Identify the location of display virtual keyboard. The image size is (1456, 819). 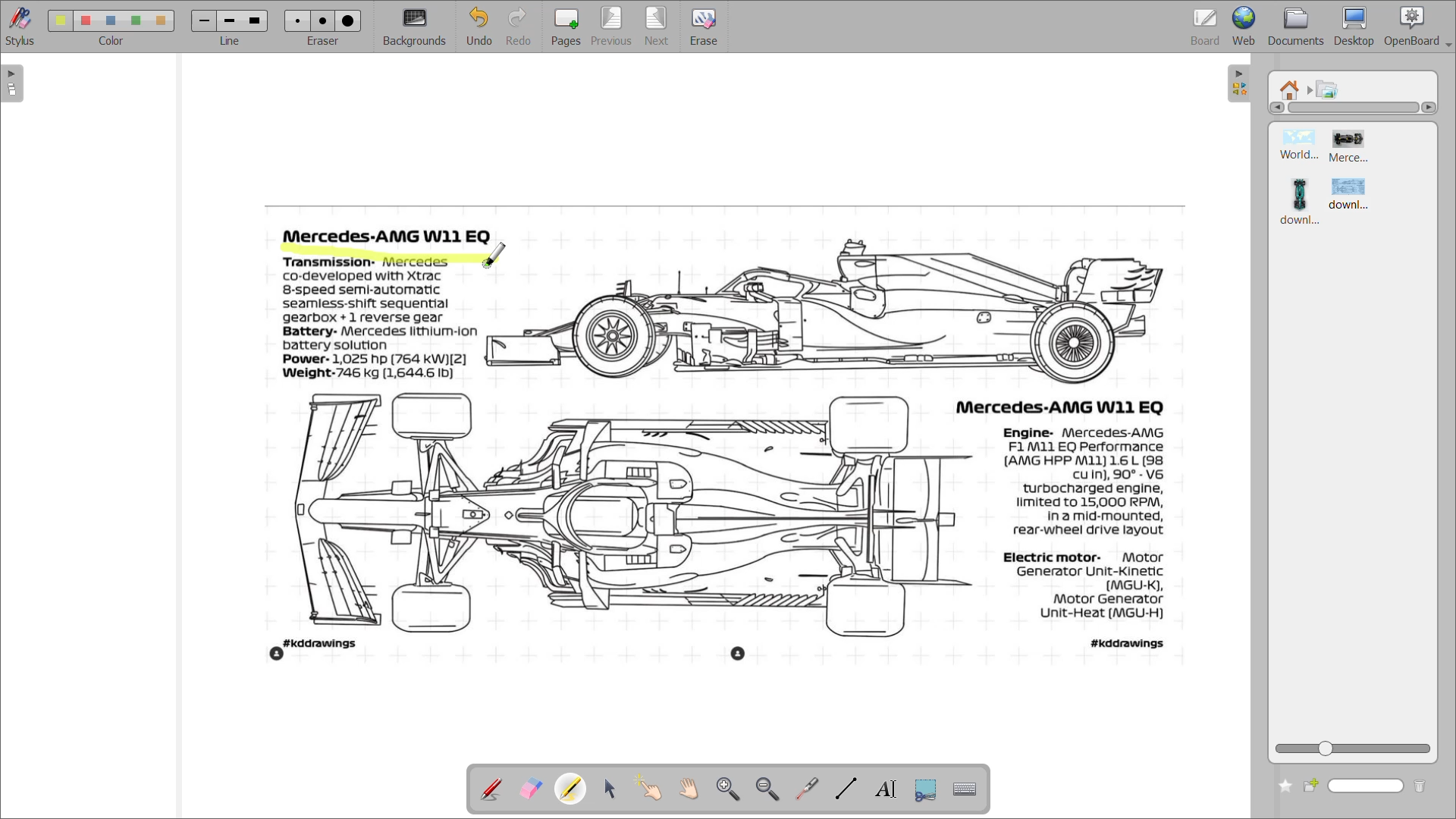
(967, 790).